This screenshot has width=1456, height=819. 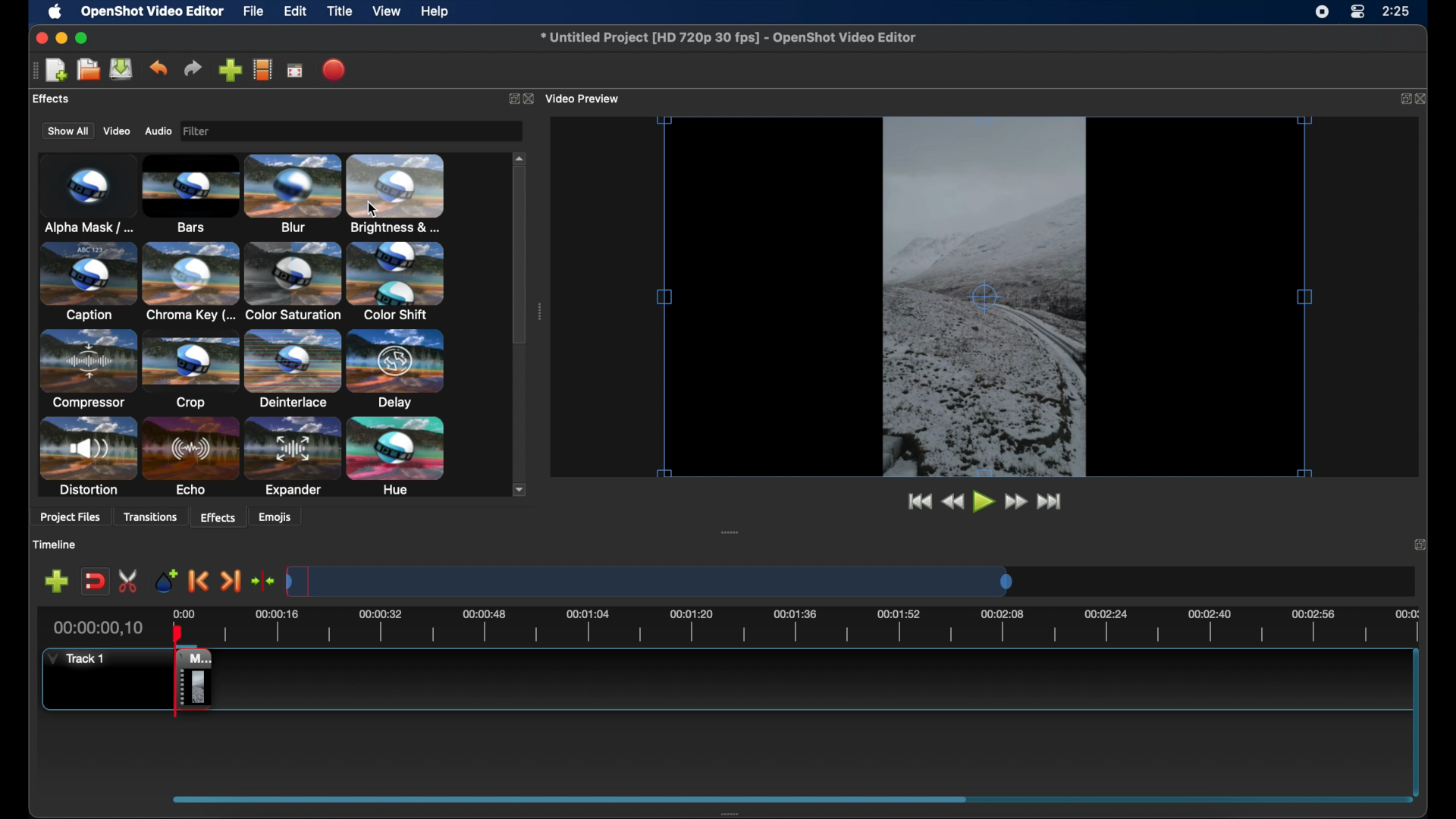 I want to click on cursor, so click(x=372, y=209).